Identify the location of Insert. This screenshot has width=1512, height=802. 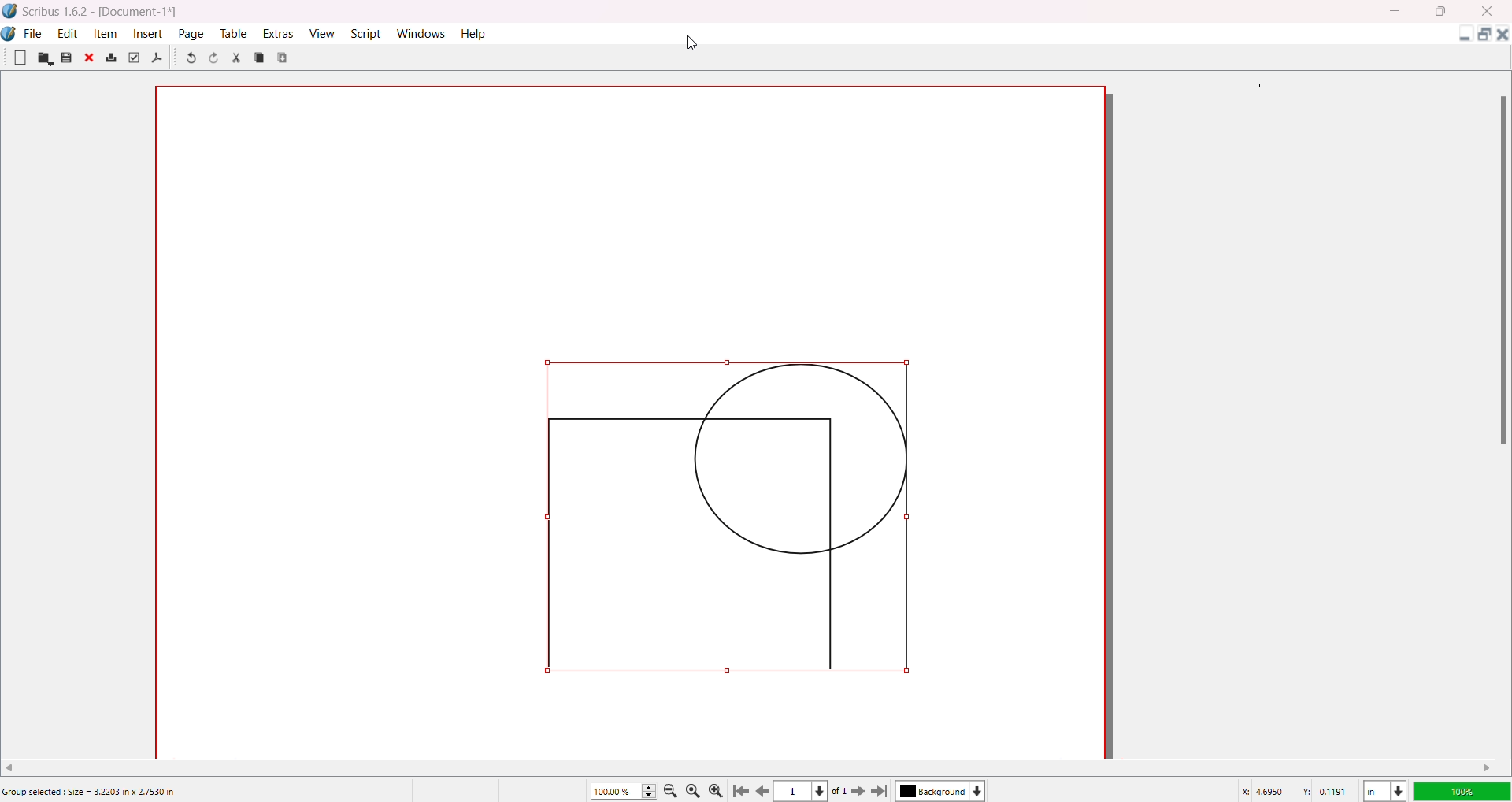
(150, 33).